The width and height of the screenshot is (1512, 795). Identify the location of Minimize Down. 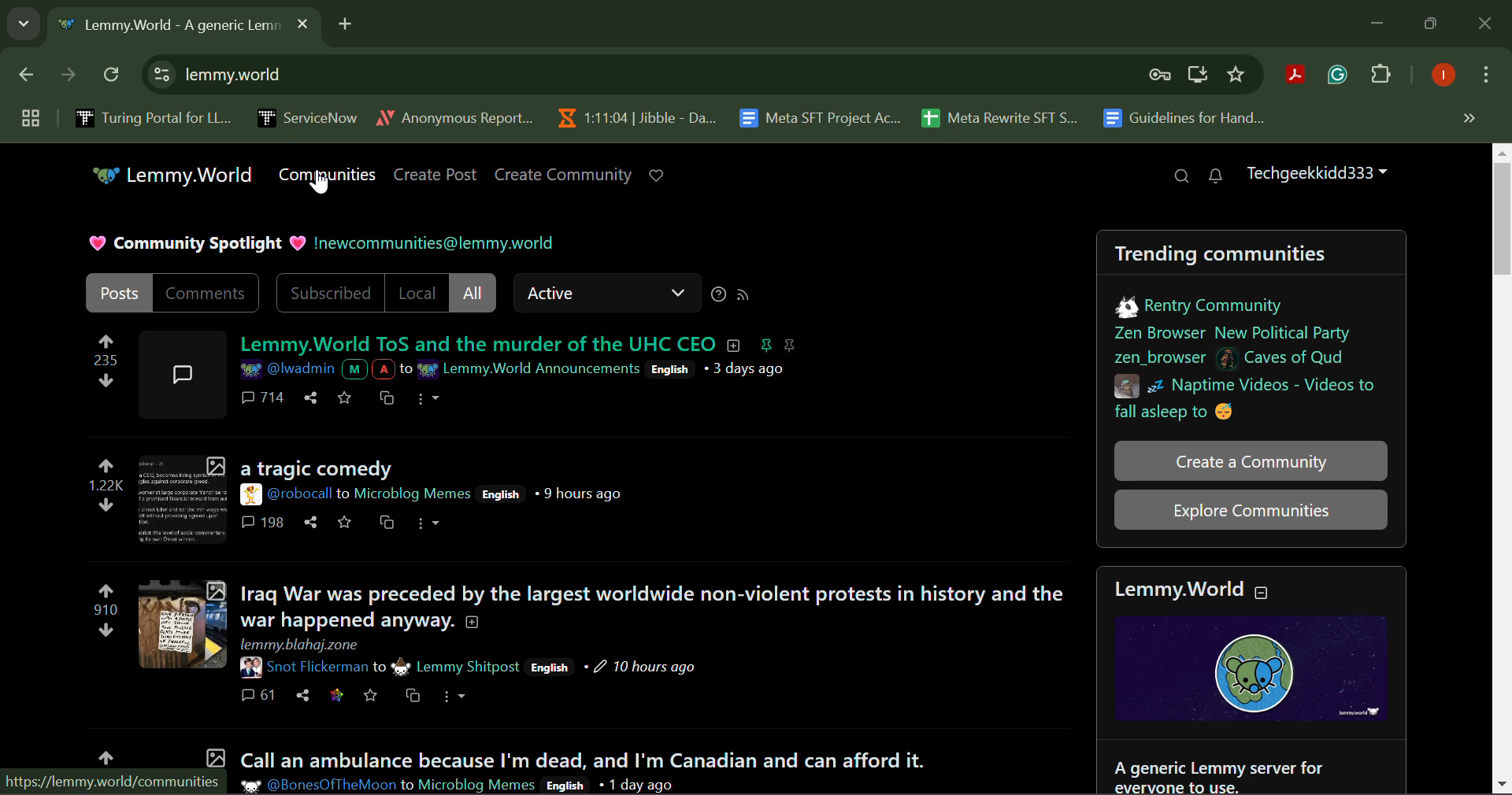
(1380, 24).